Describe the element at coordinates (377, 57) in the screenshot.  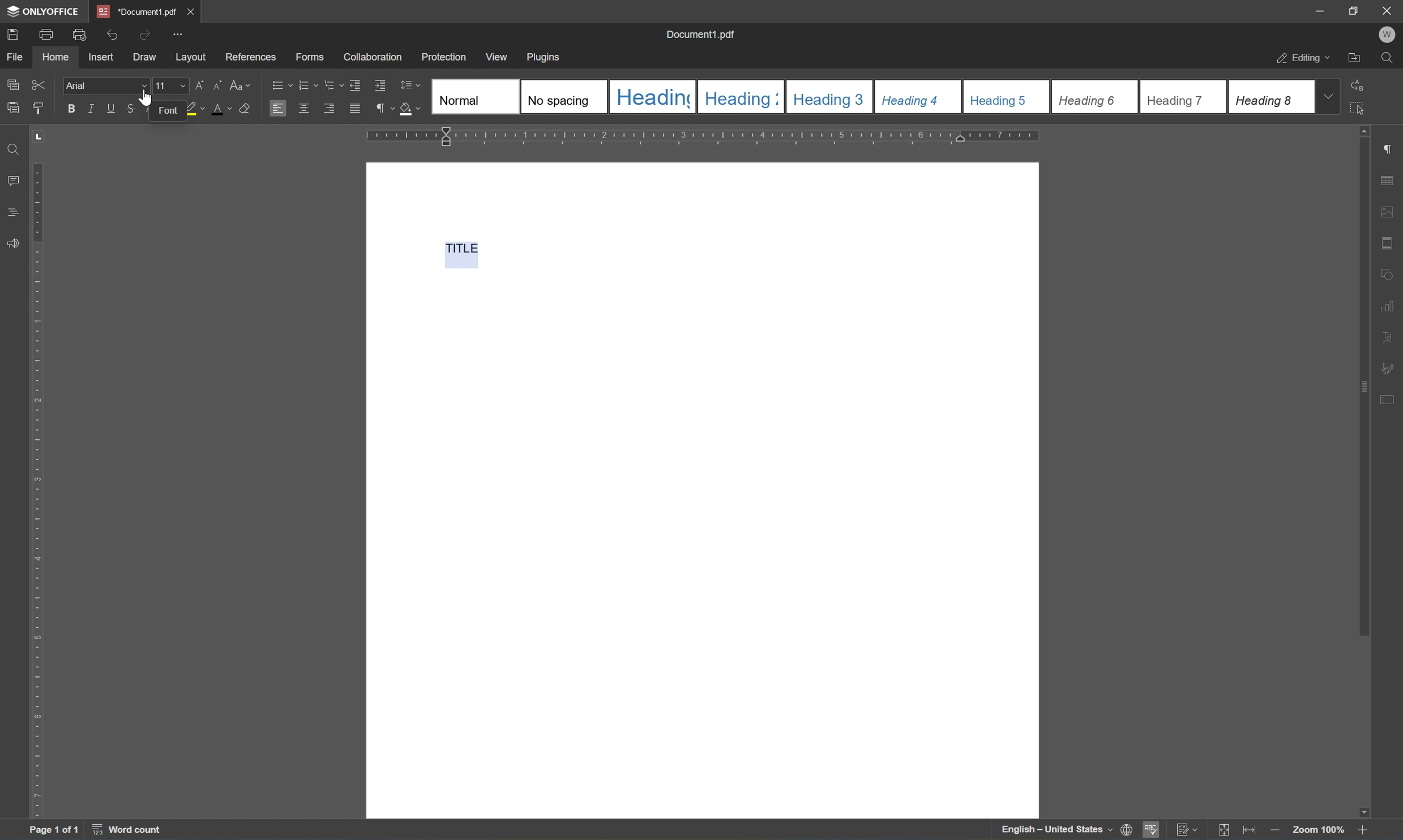
I see `collaboration` at that location.